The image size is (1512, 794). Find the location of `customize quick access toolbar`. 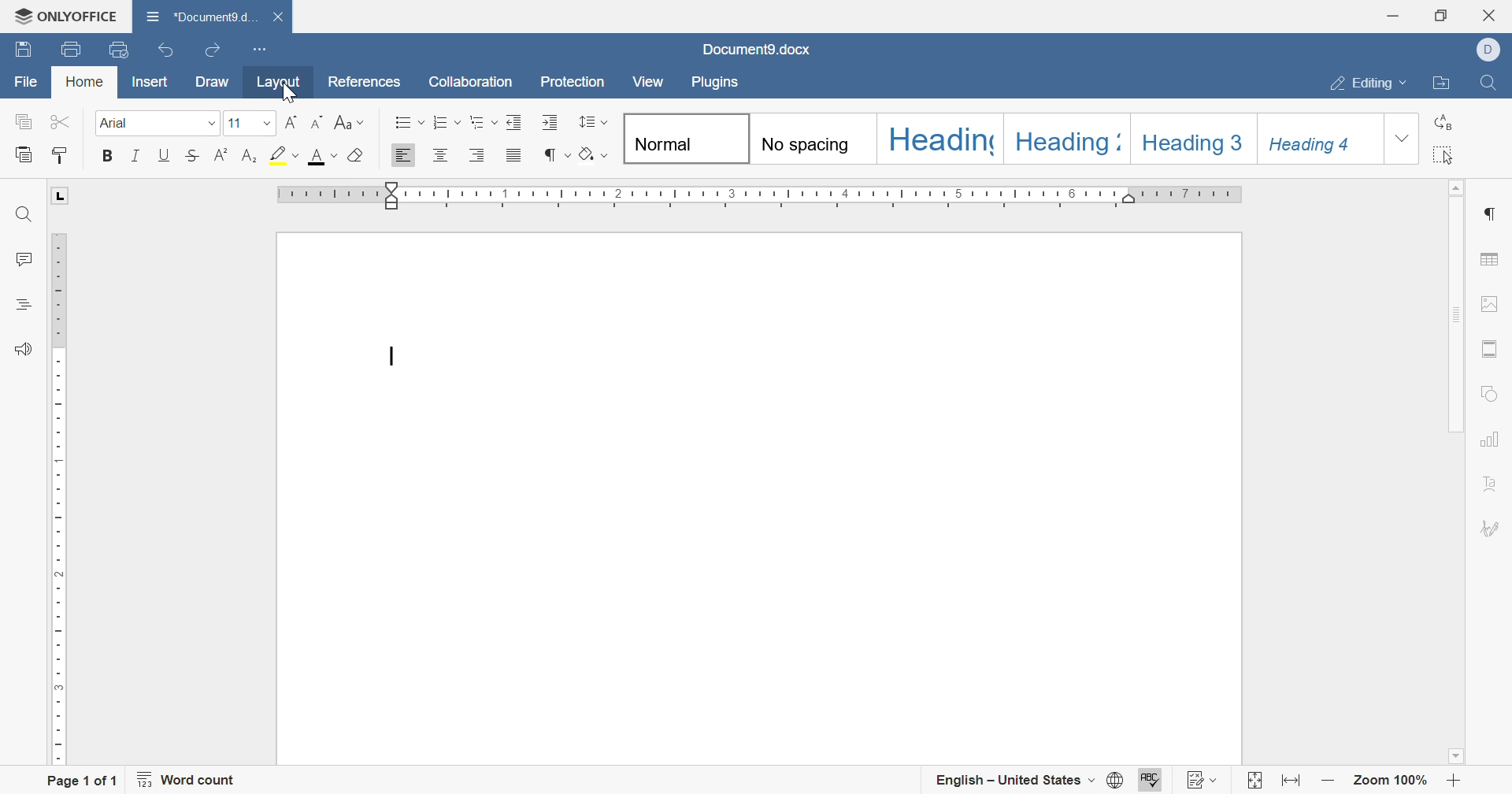

customize quick access toolbar is located at coordinates (256, 47).